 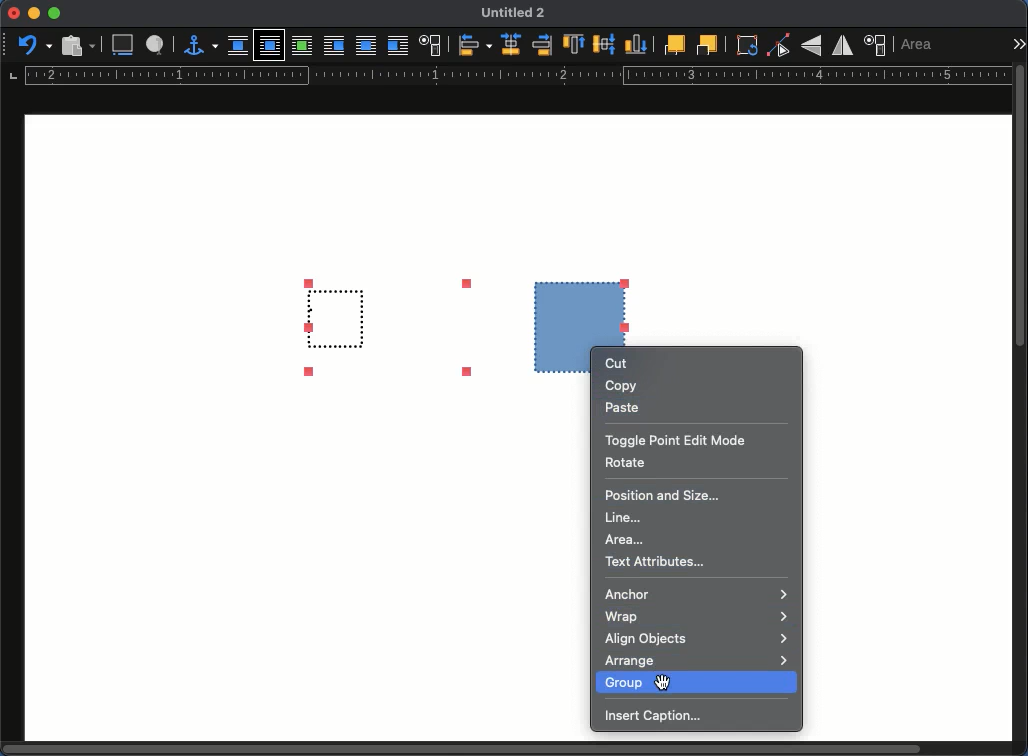 I want to click on optimal, so click(x=302, y=47).